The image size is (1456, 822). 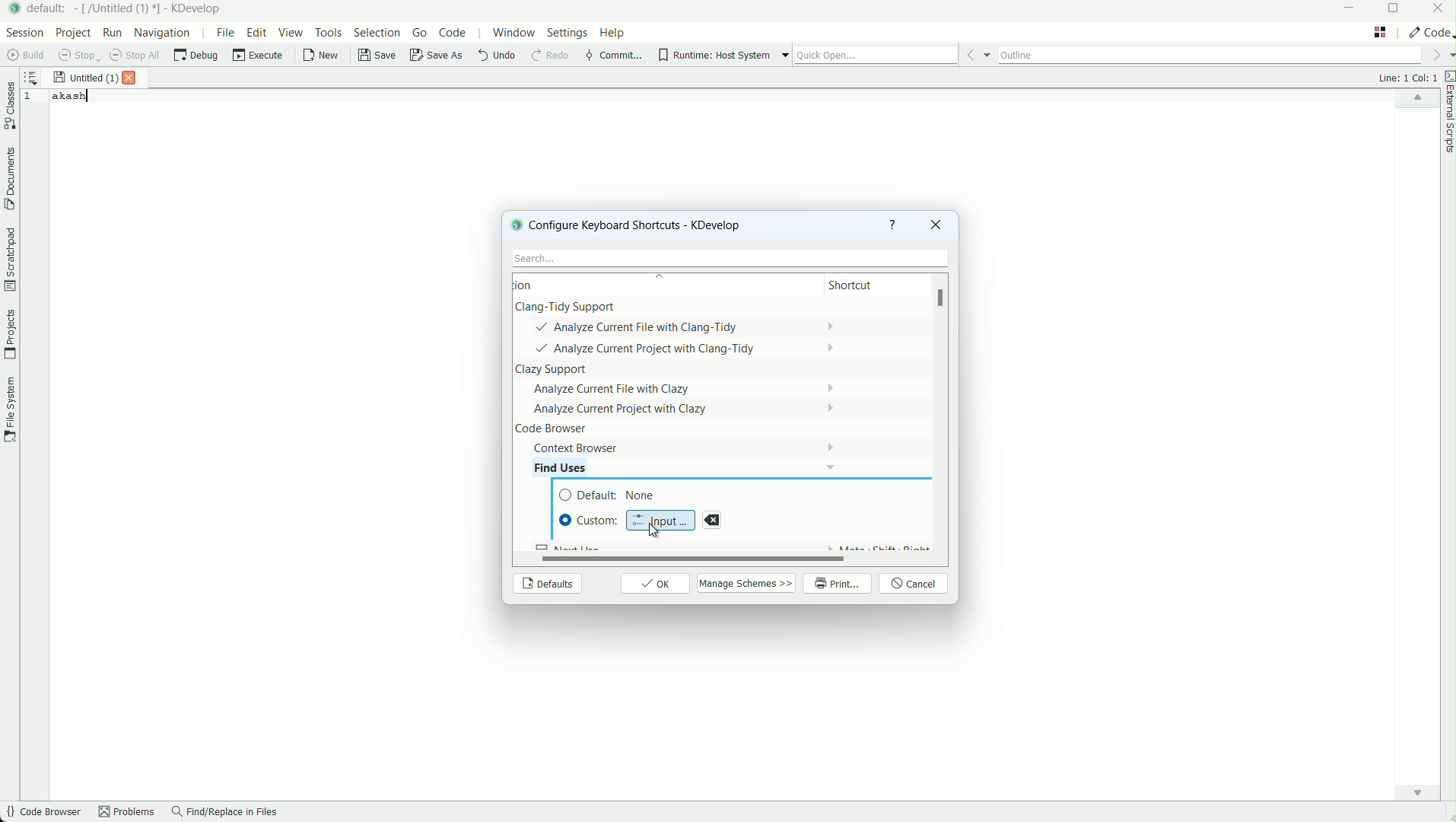 I want to click on print, so click(x=838, y=585).